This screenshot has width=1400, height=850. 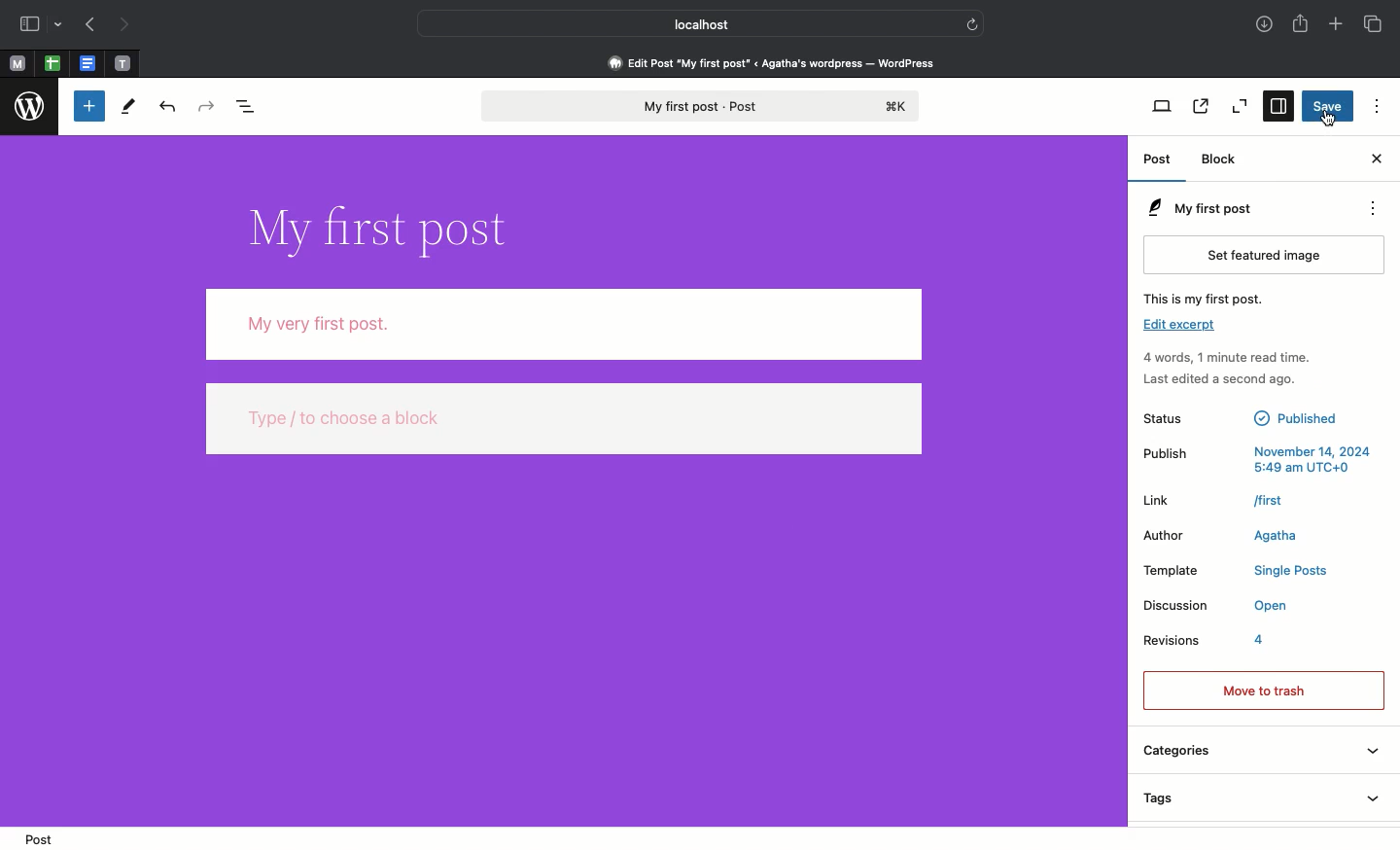 I want to click on M tabs, so click(x=15, y=62).